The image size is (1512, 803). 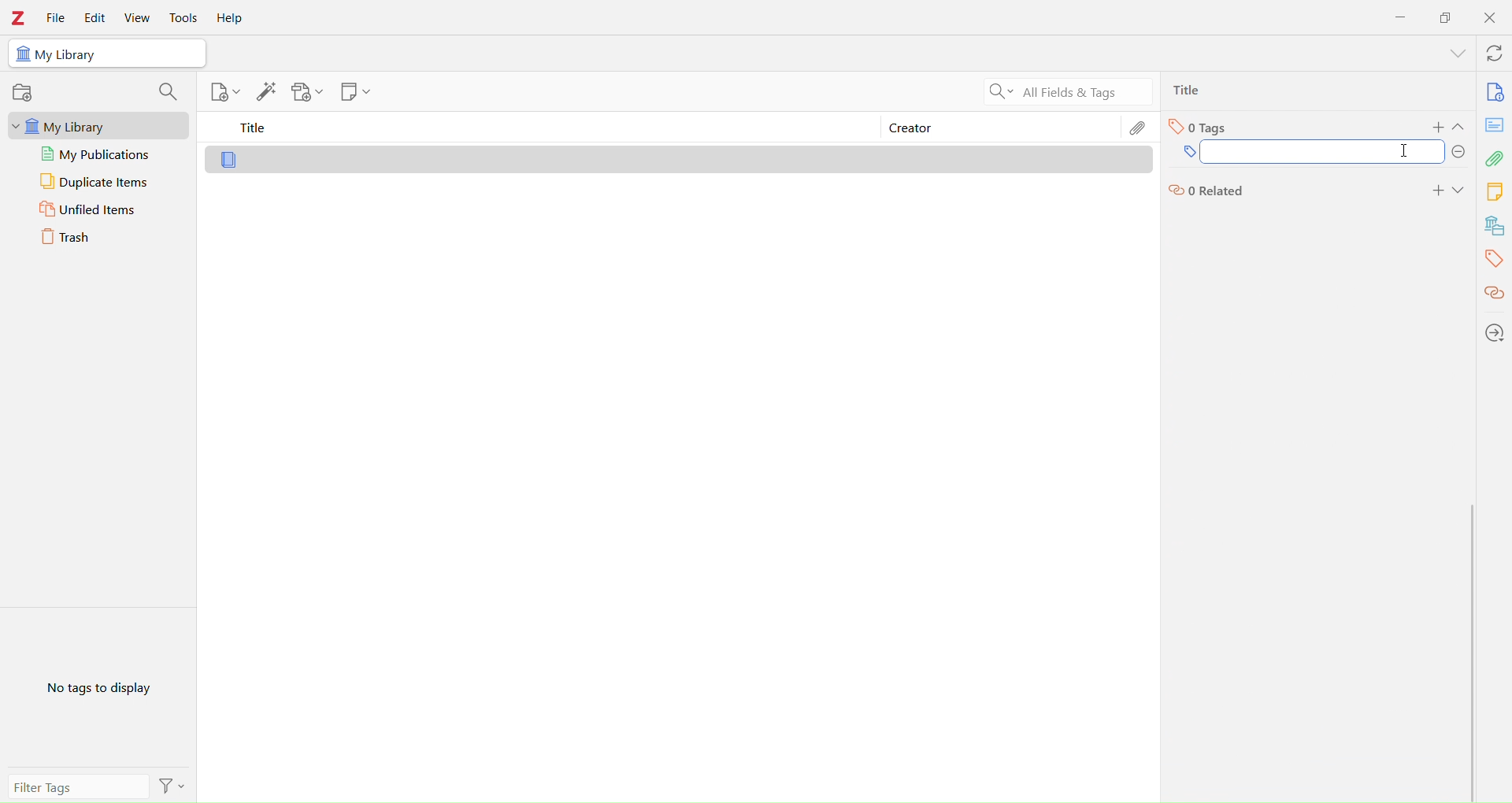 I want to click on Close, so click(x=1491, y=17).